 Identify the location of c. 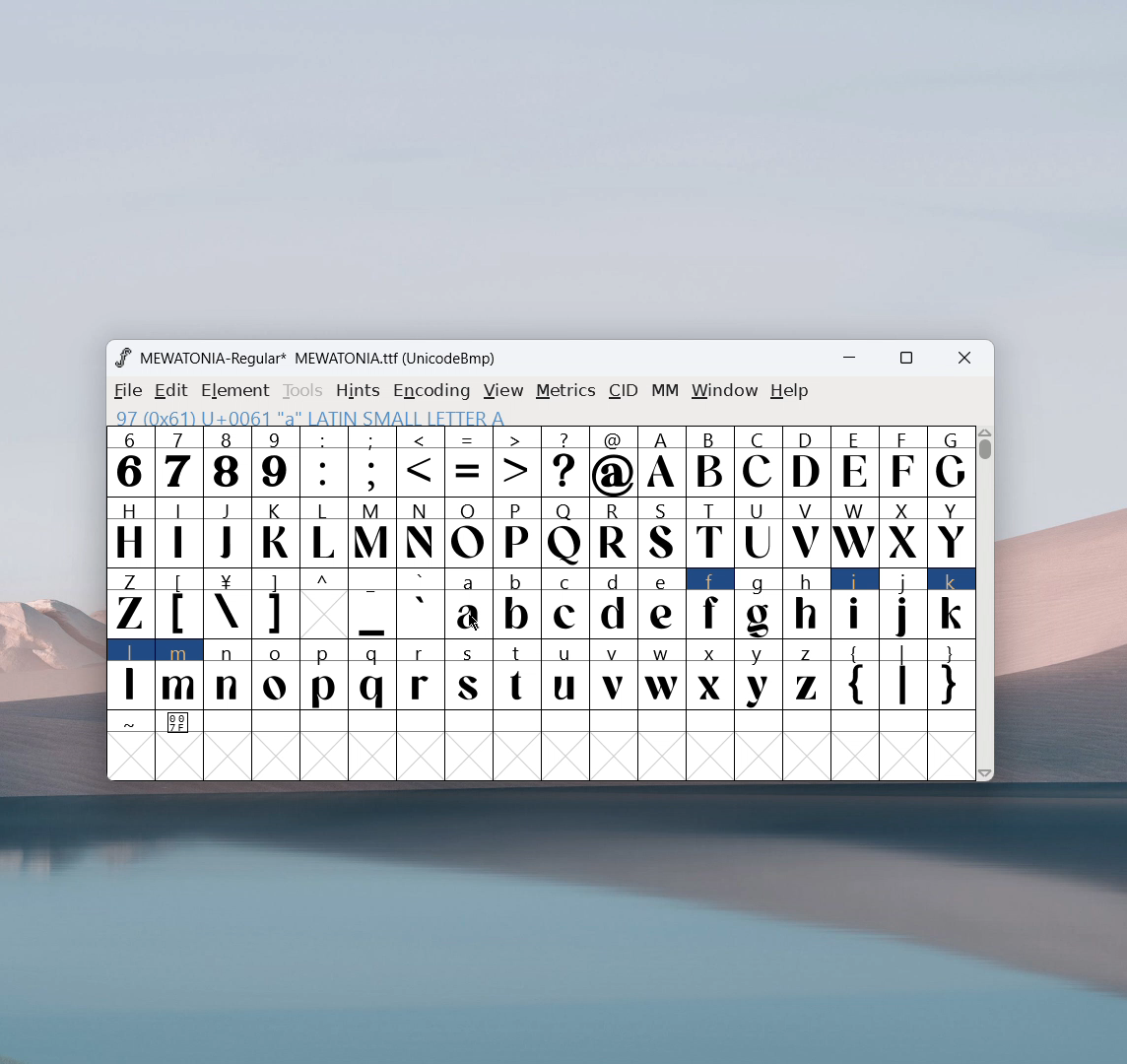
(565, 604).